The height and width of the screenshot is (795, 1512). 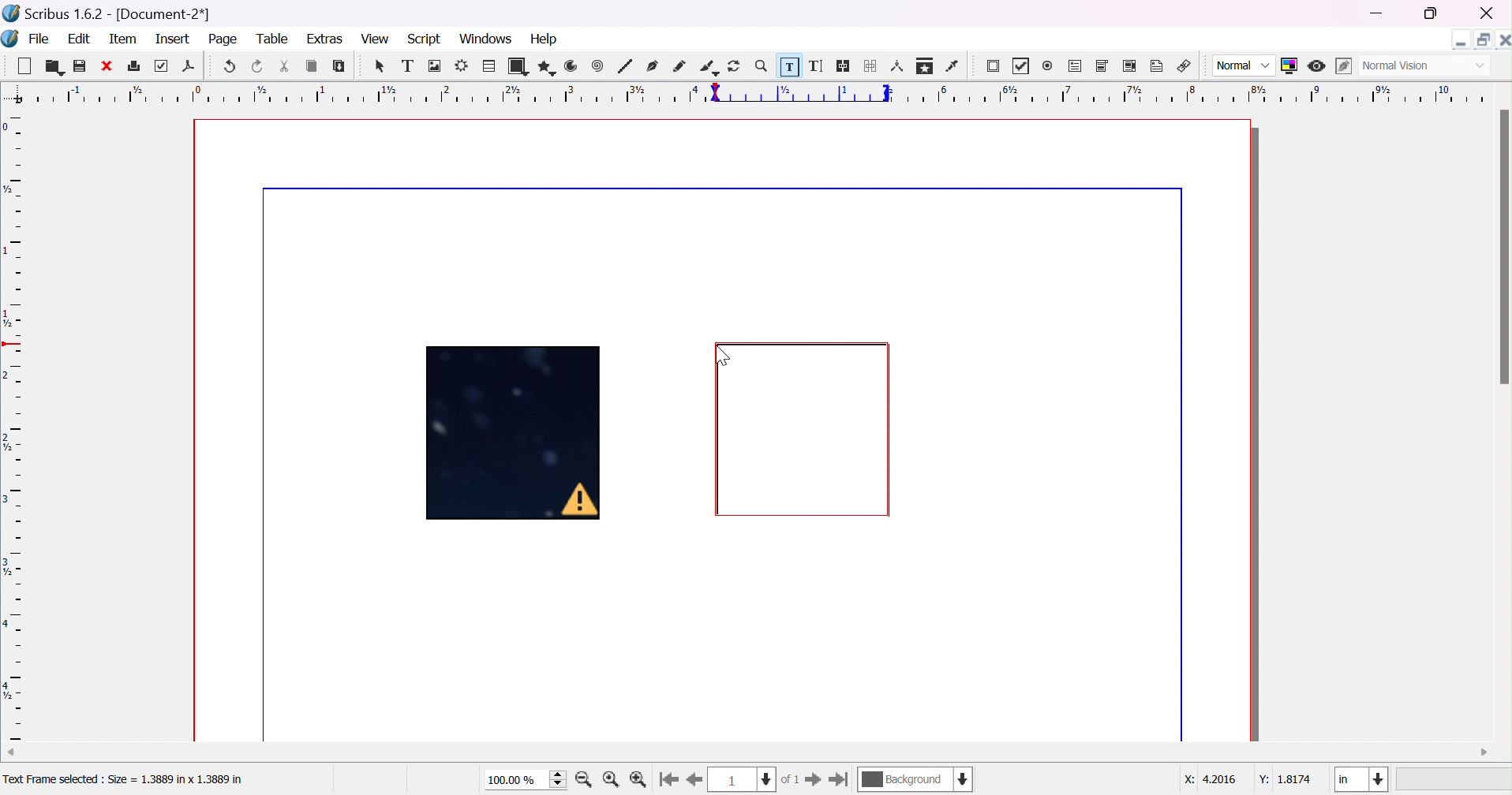 I want to click on Image, so click(x=516, y=435).